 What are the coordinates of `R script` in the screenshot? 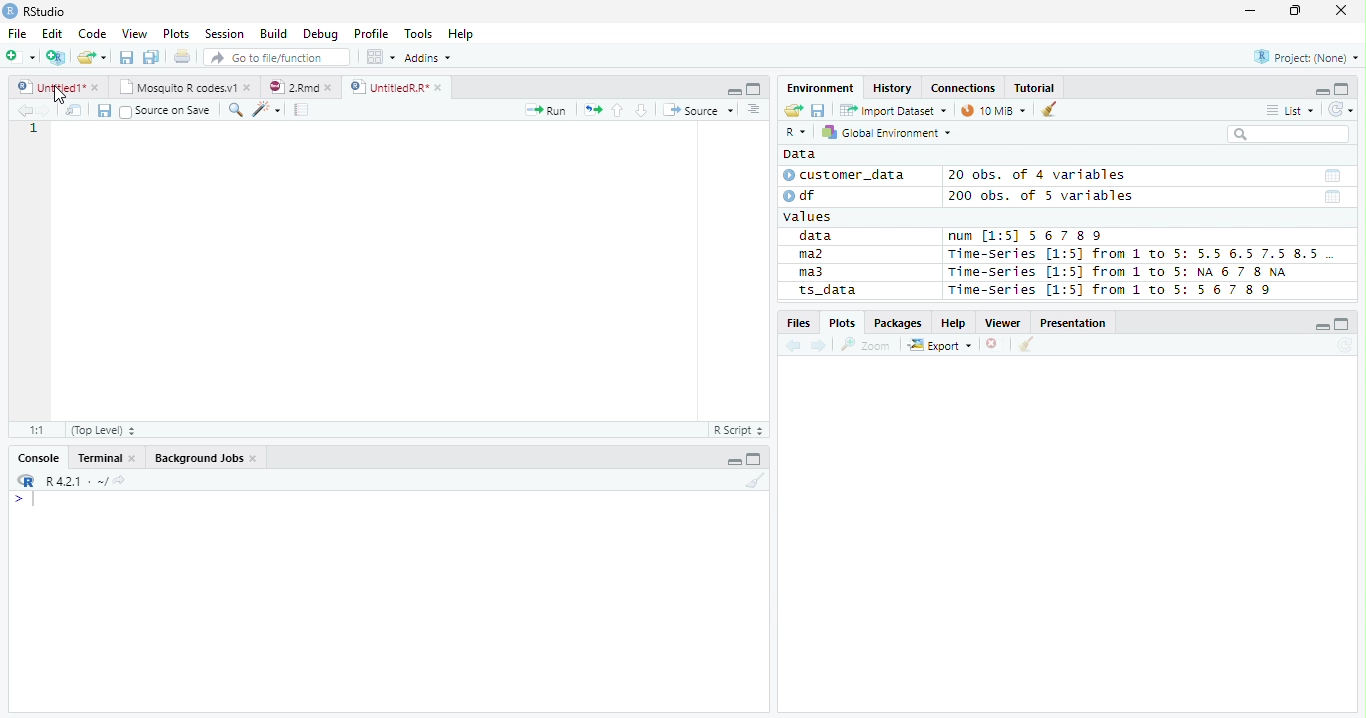 It's located at (737, 430).